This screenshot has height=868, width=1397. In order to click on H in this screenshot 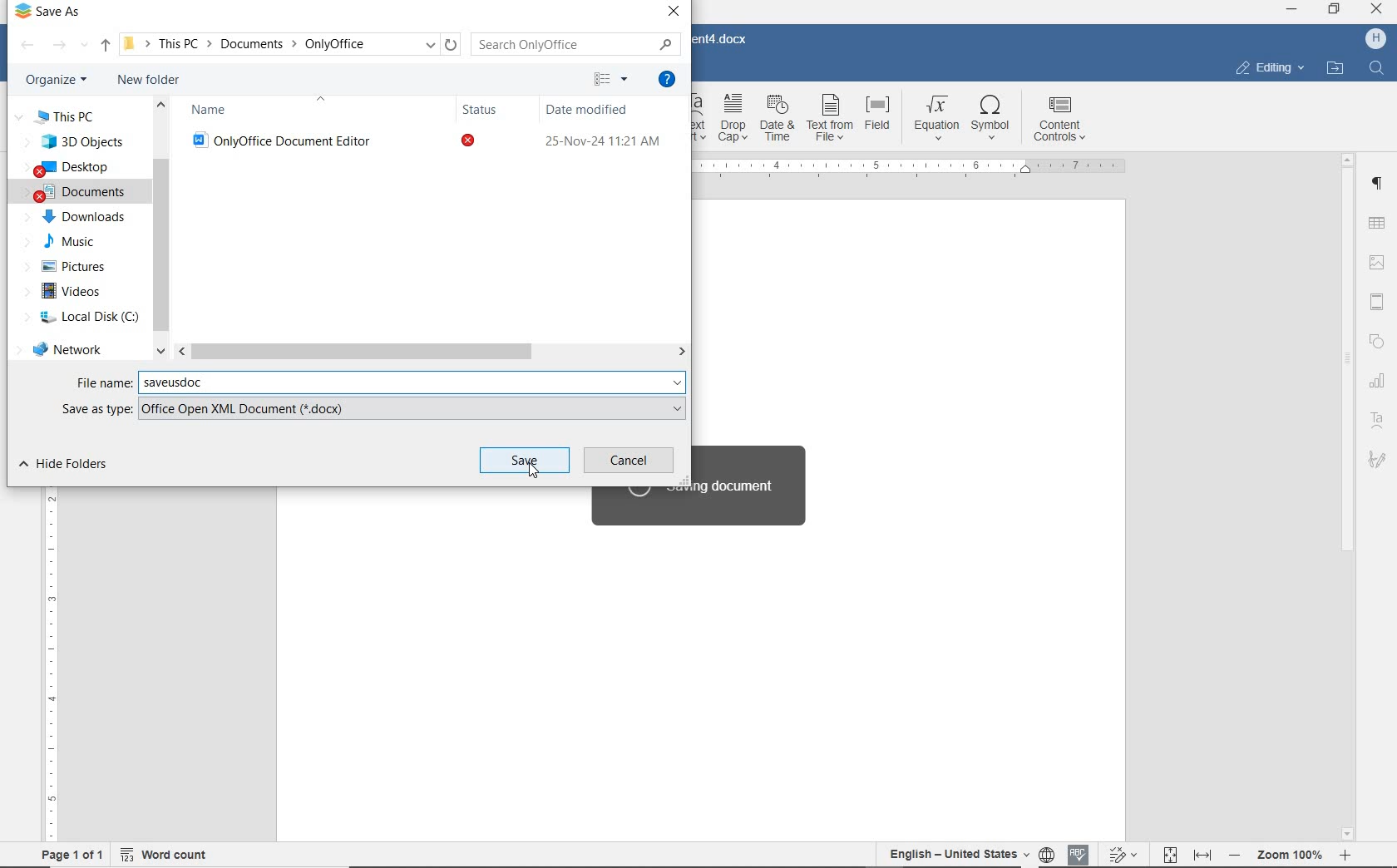, I will do `click(1370, 40)`.